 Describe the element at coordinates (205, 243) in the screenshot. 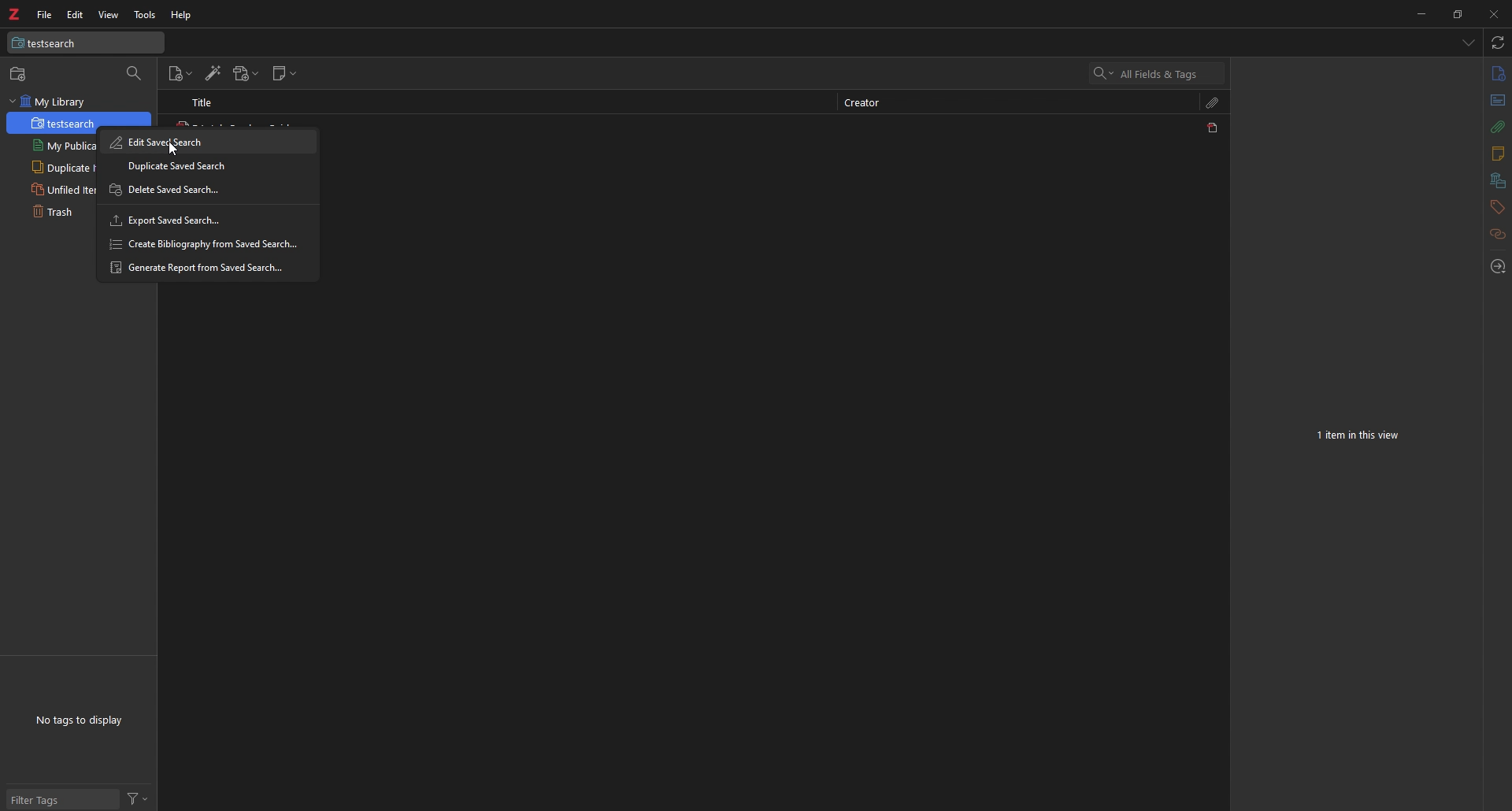

I see `create bibliography` at that location.